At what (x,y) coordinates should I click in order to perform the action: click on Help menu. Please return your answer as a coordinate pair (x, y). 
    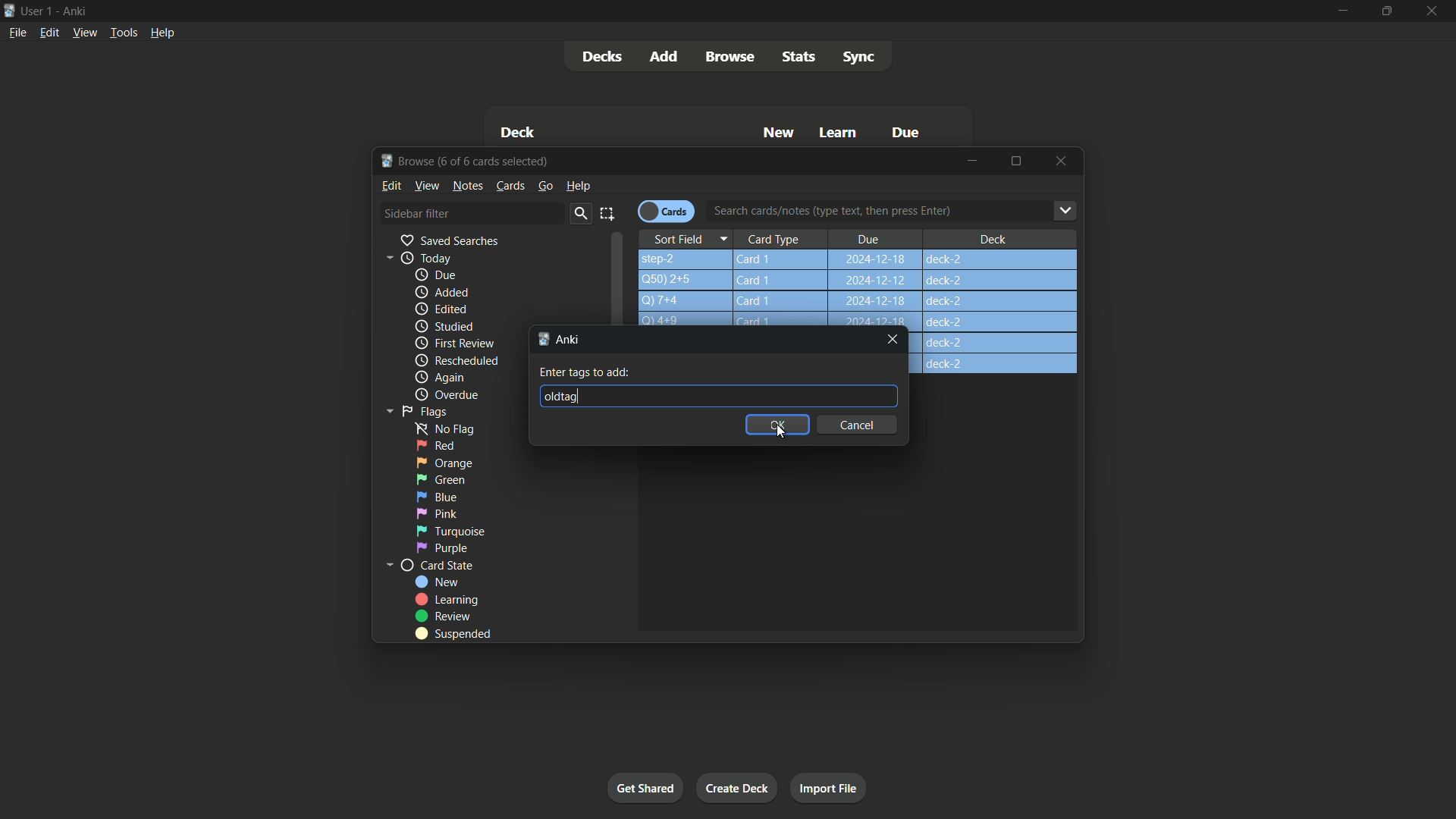
    Looking at the image, I should click on (165, 33).